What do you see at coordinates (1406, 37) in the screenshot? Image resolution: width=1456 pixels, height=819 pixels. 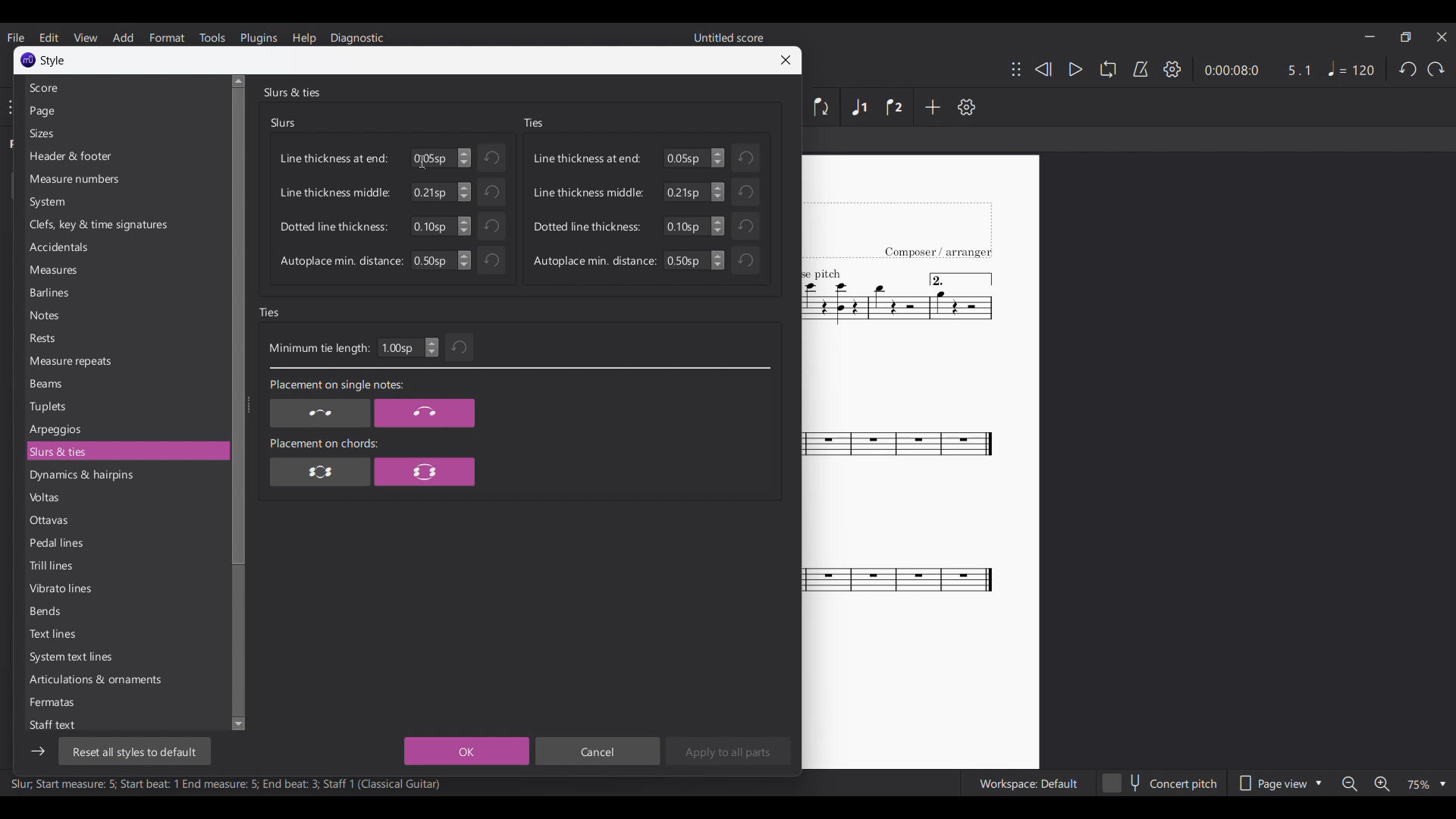 I see `Show in smaller tab` at bounding box center [1406, 37].